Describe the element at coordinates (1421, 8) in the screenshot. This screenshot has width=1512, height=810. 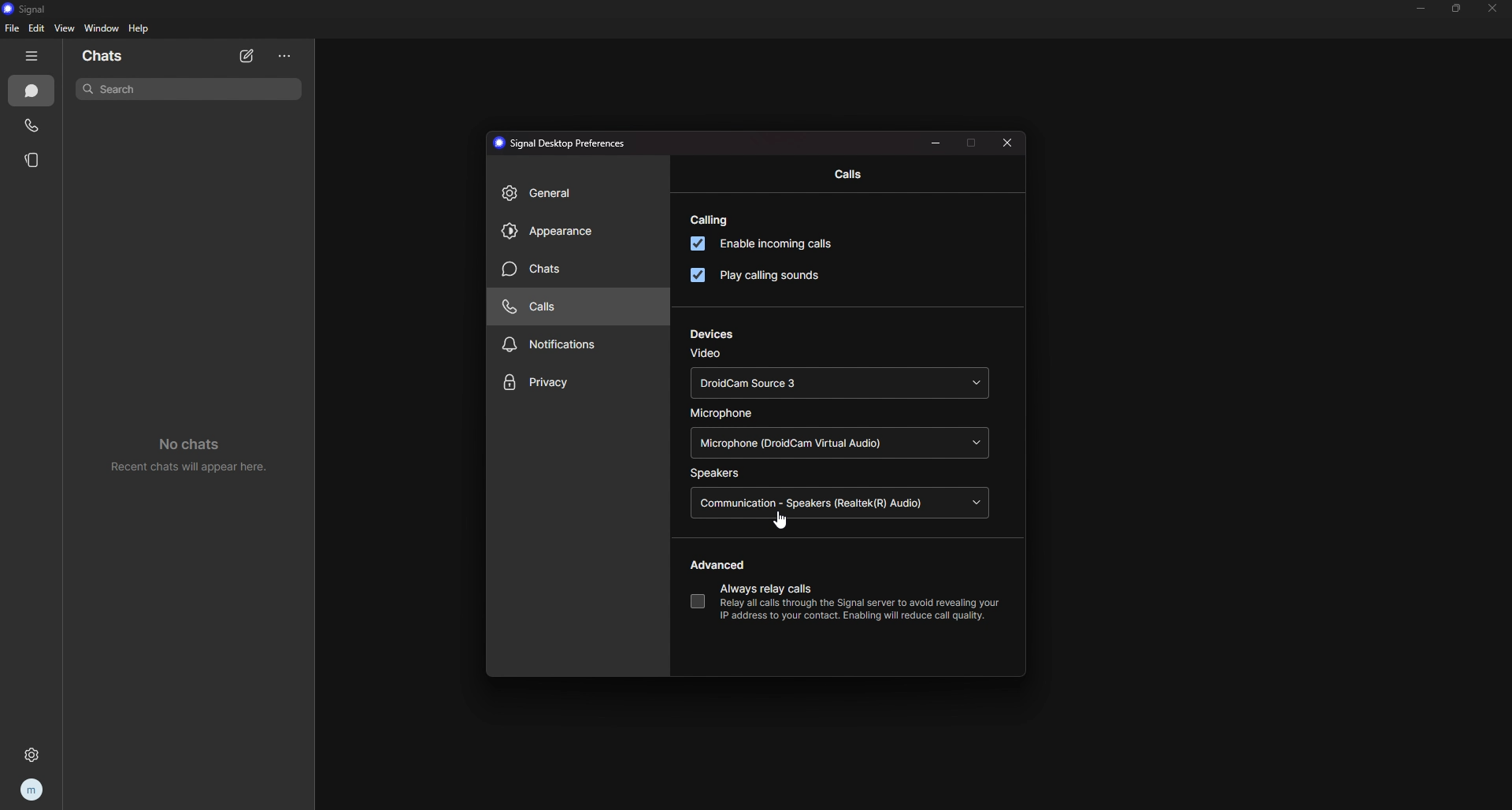
I see `minimize` at that location.